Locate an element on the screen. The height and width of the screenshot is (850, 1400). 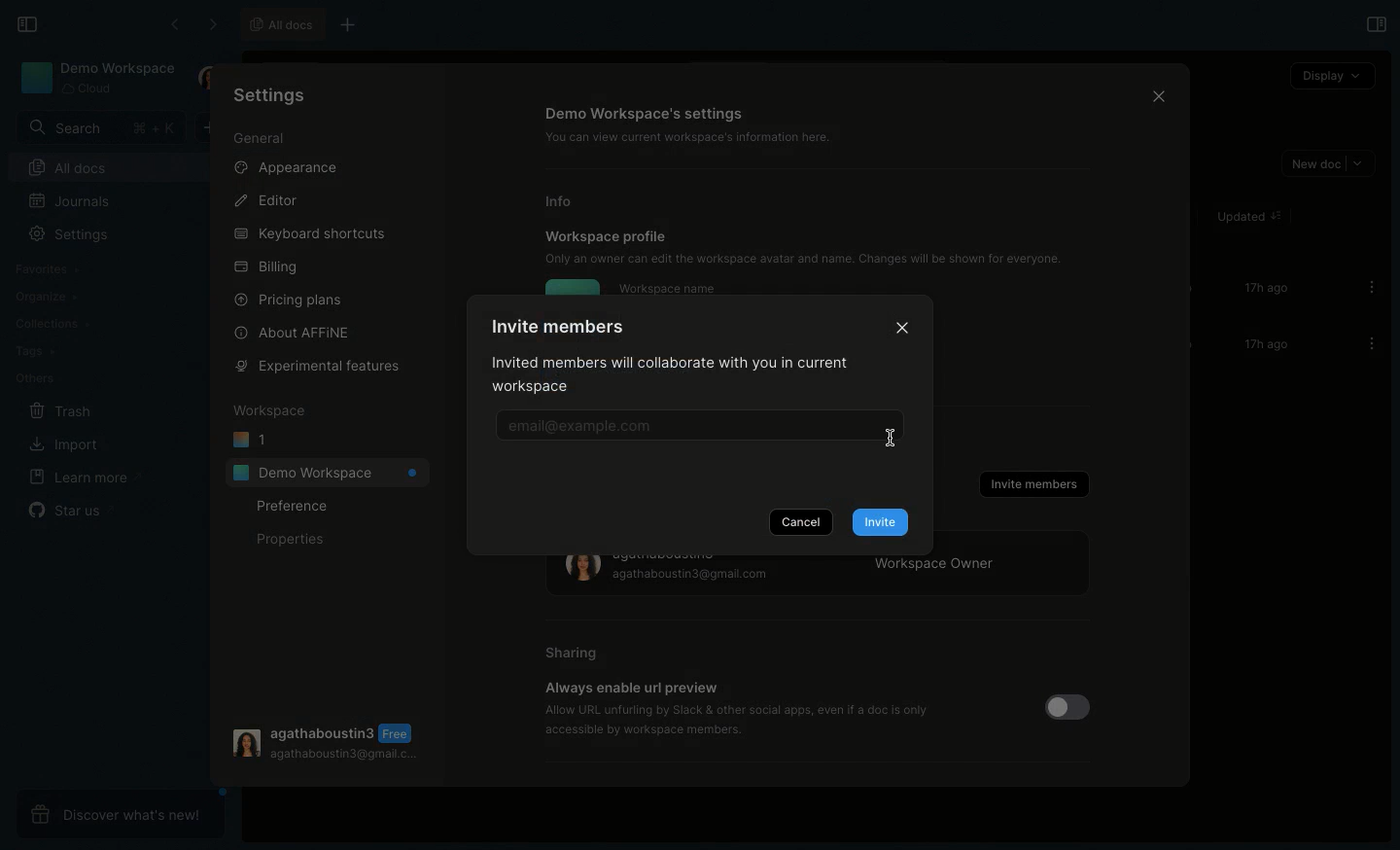
Experimental features is located at coordinates (318, 367).